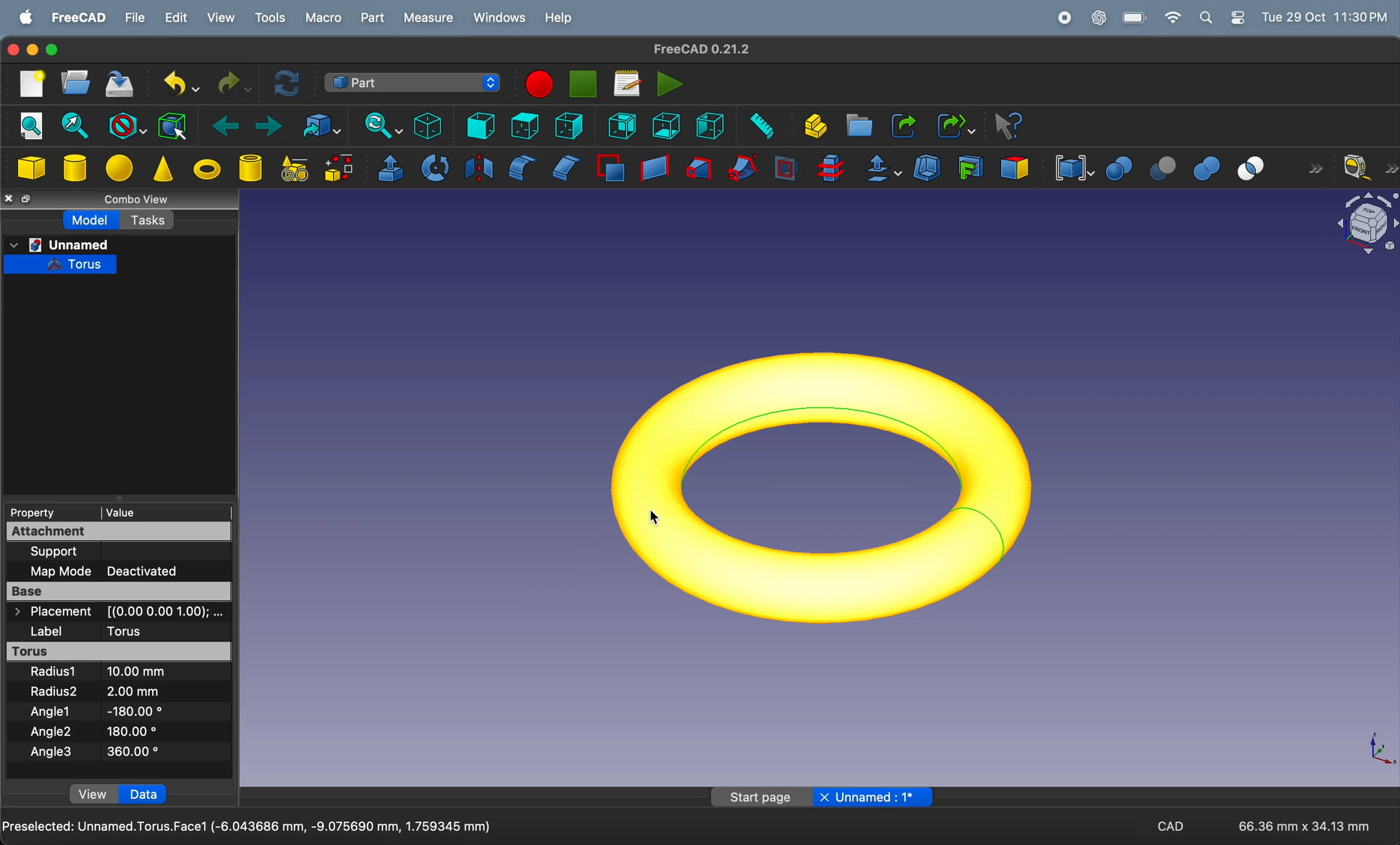 This screenshot has width=1400, height=845. I want to click on intersection, so click(1256, 167).